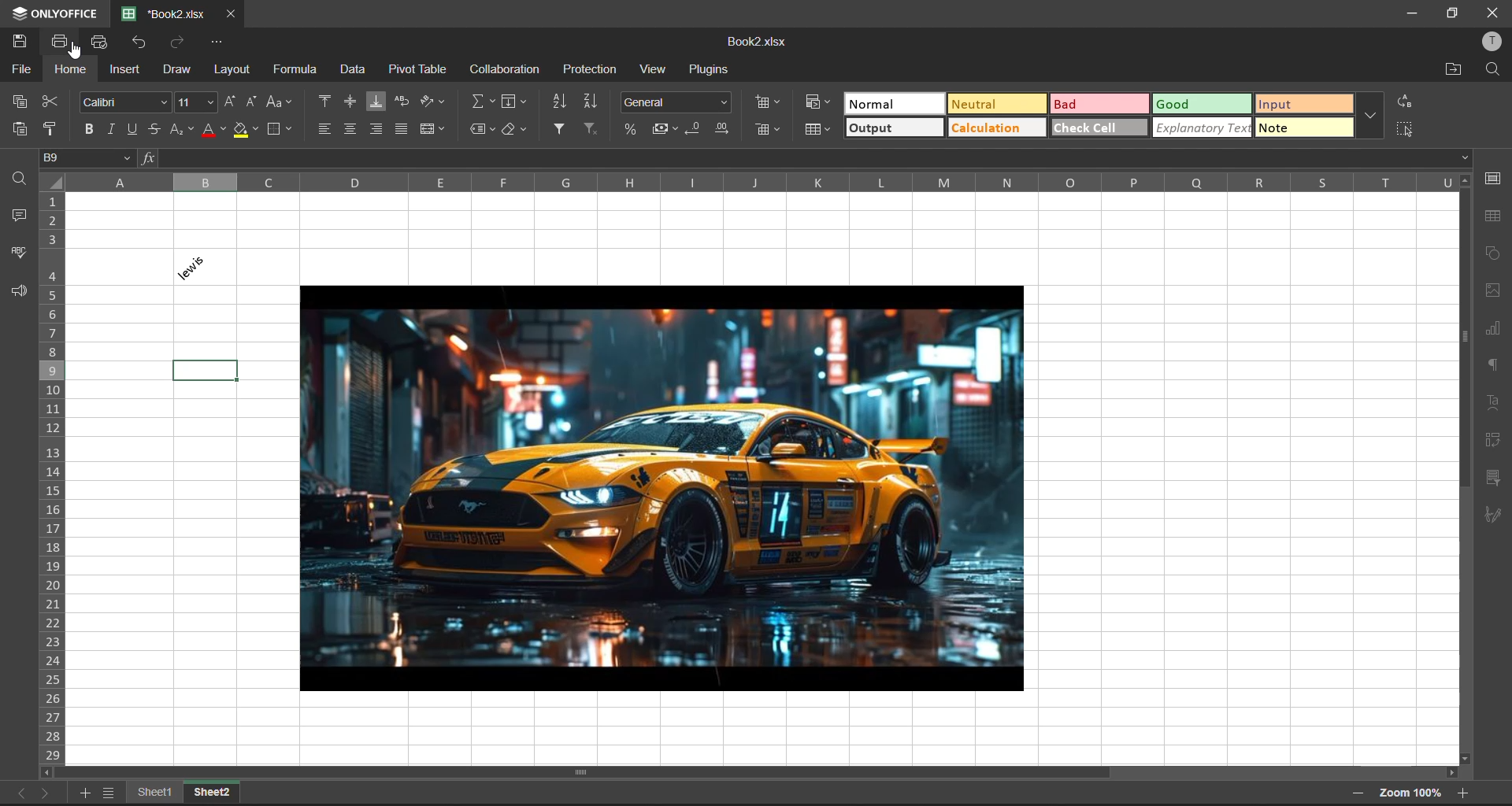 This screenshot has height=806, width=1512. I want to click on sort descending, so click(590, 102).